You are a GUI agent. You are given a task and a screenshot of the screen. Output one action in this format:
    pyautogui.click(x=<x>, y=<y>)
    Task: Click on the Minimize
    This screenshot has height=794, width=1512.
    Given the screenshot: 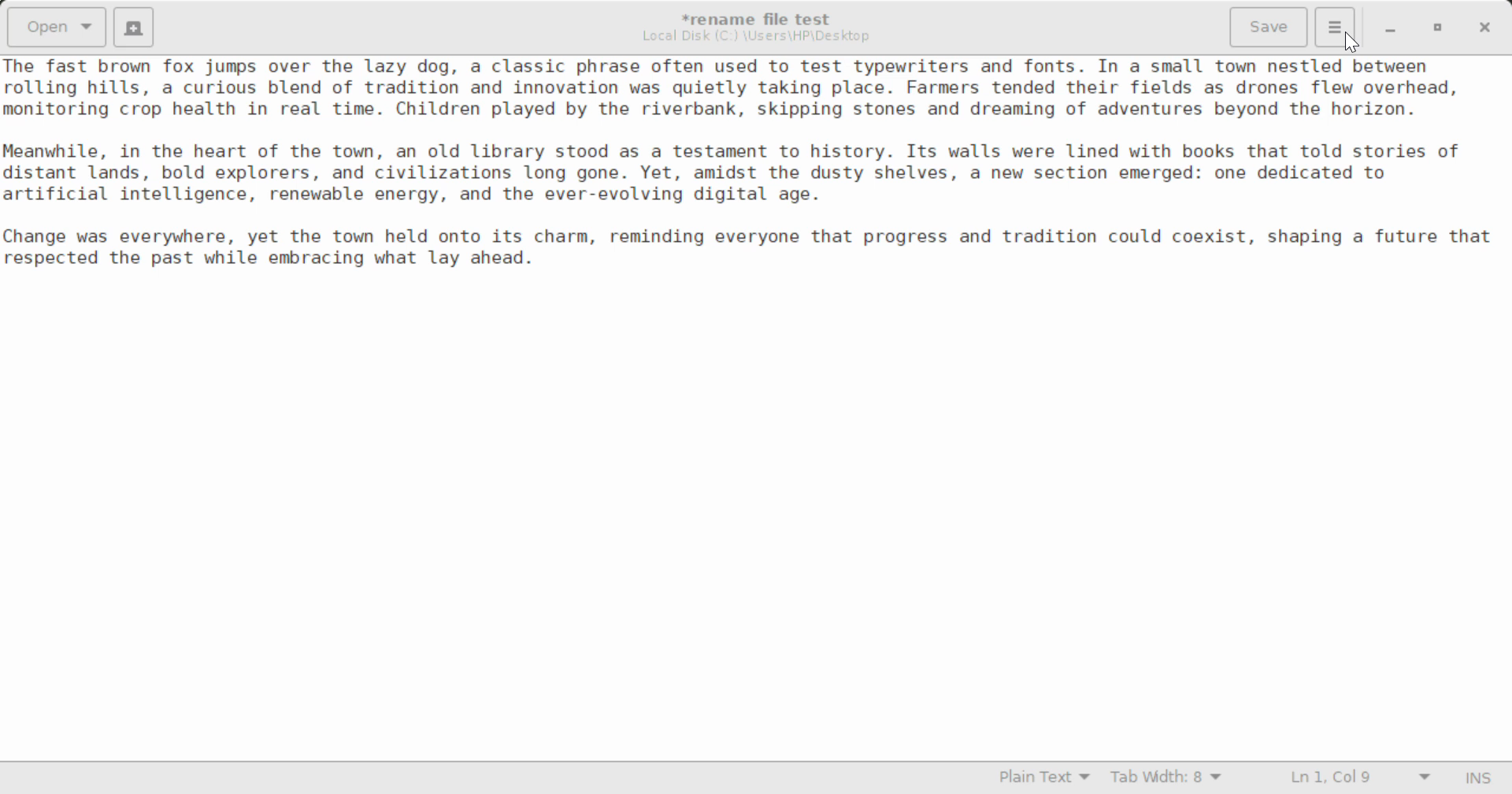 What is the action you would take?
    pyautogui.click(x=1440, y=27)
    